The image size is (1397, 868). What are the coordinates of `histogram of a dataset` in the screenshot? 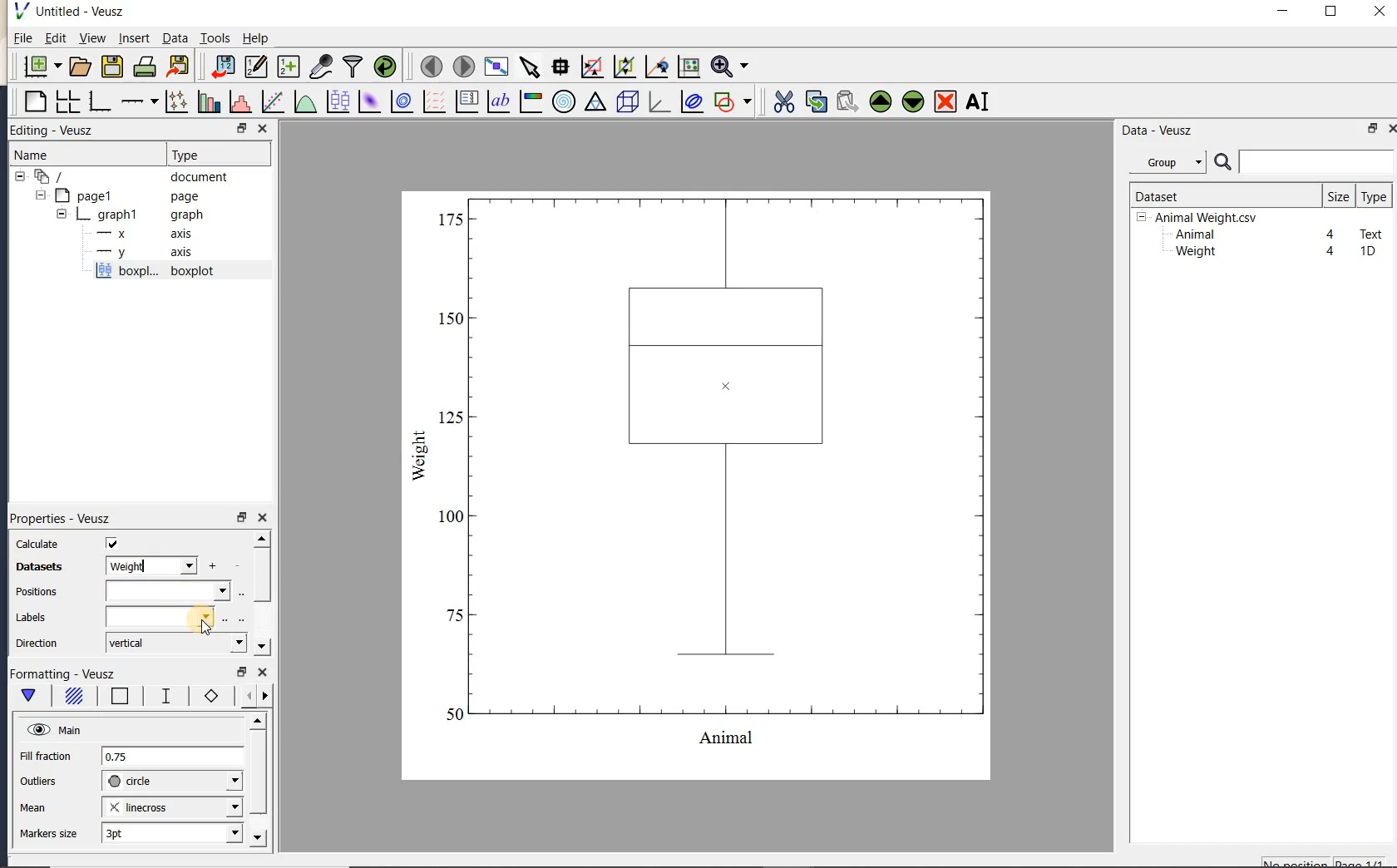 It's located at (239, 101).